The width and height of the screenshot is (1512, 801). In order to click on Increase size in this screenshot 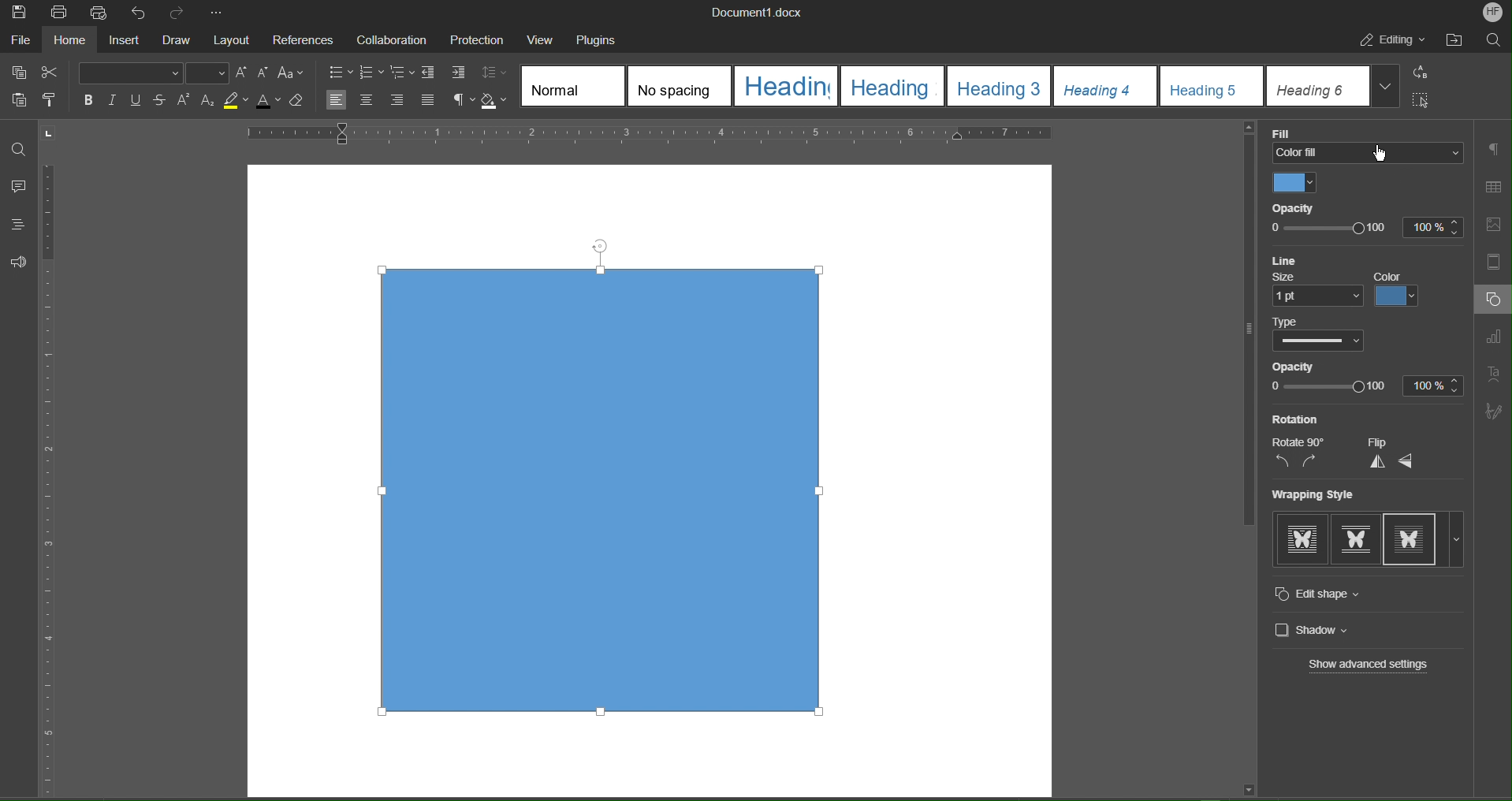, I will do `click(241, 72)`.